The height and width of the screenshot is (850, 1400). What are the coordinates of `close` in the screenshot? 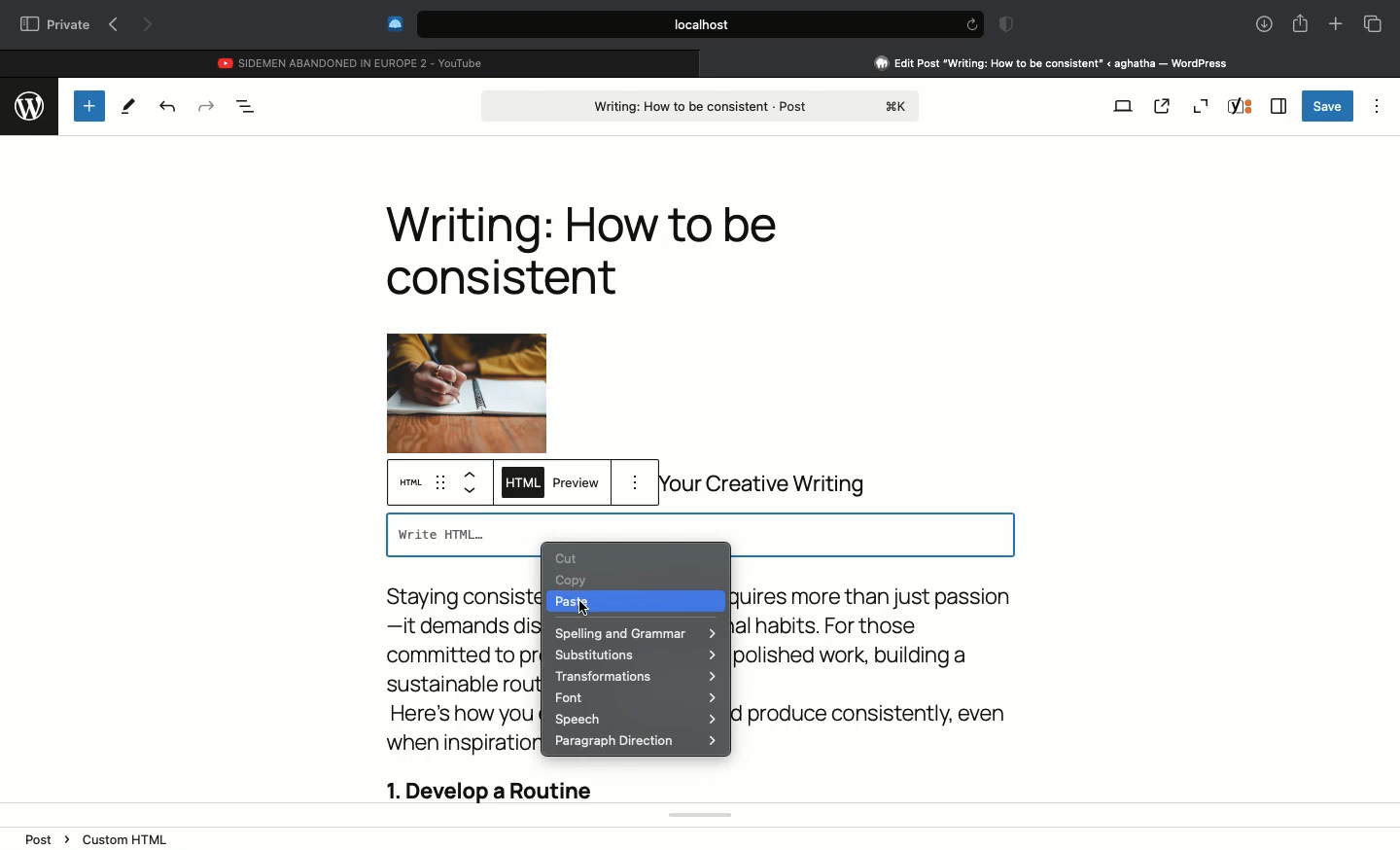 It's located at (709, 62).